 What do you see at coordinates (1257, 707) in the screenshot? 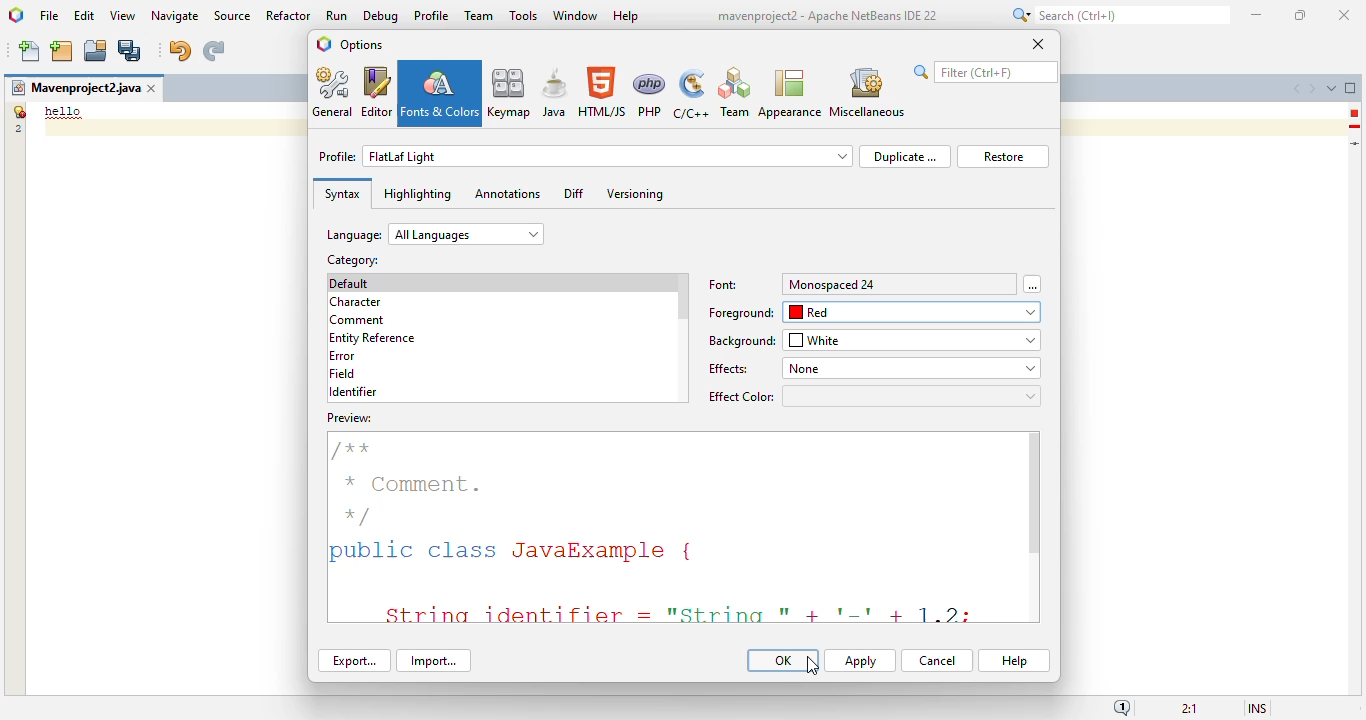
I see `insert mode` at bounding box center [1257, 707].